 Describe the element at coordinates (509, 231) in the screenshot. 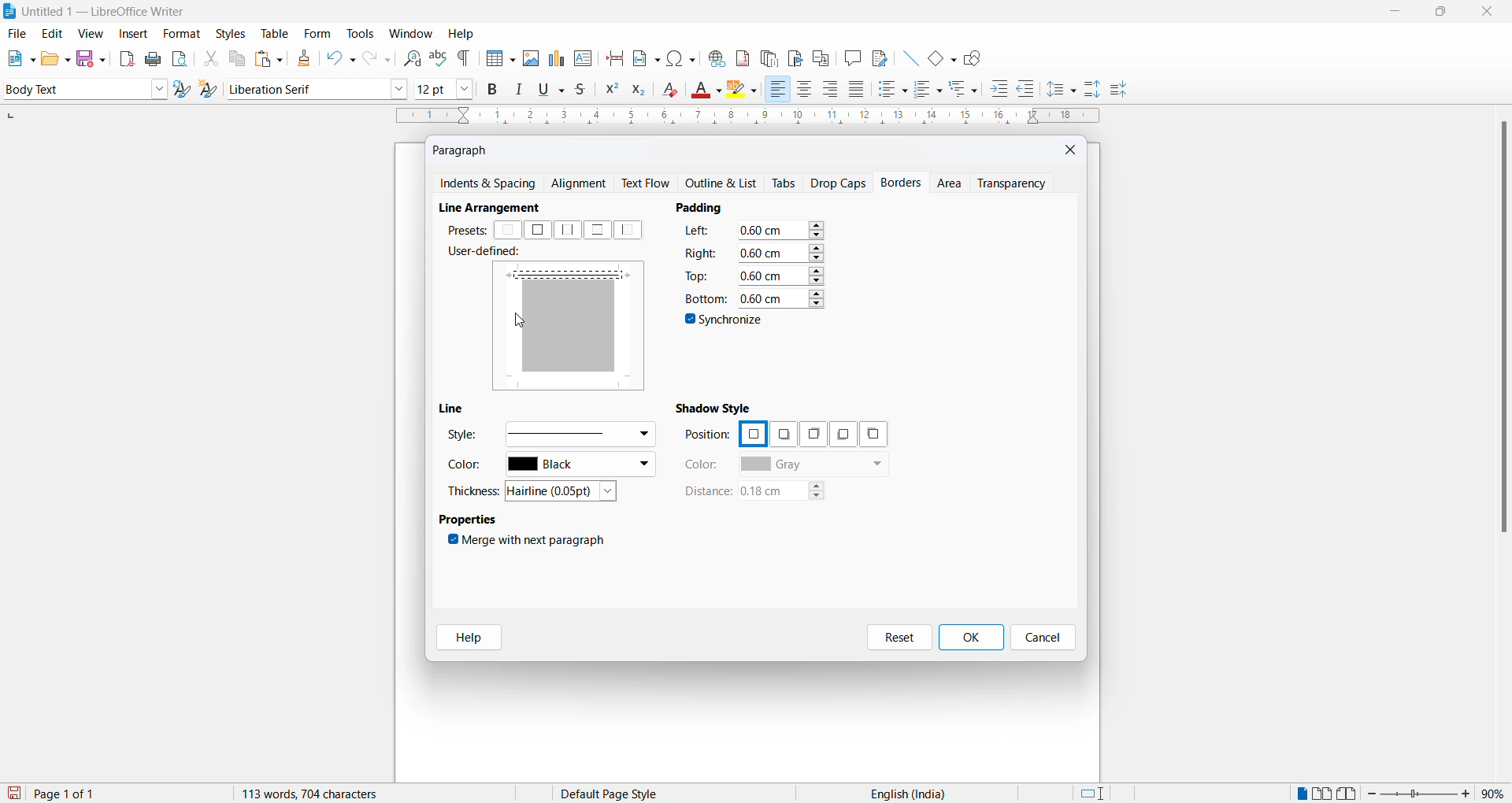

I see `none` at that location.